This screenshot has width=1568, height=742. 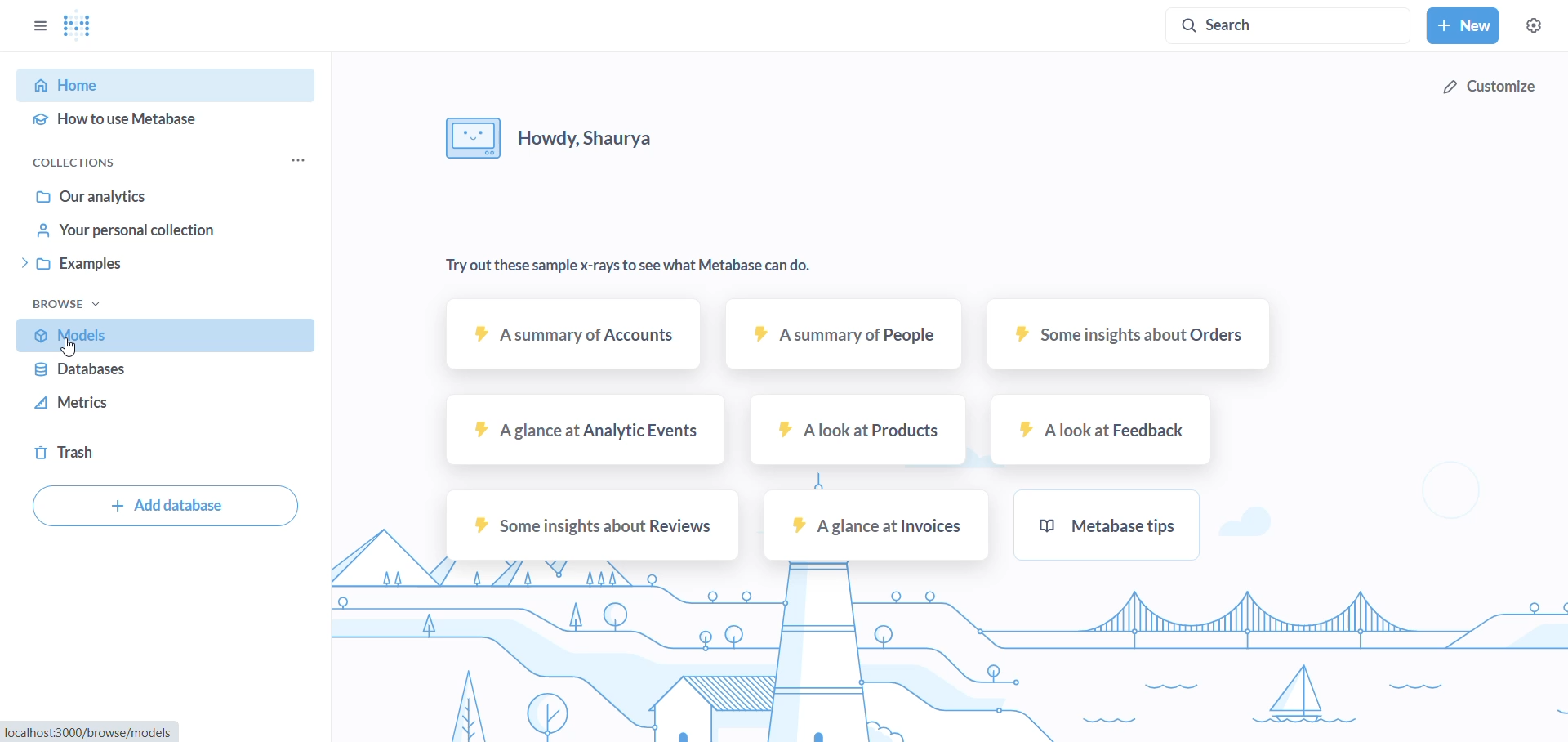 What do you see at coordinates (67, 304) in the screenshot?
I see `browse` at bounding box center [67, 304].